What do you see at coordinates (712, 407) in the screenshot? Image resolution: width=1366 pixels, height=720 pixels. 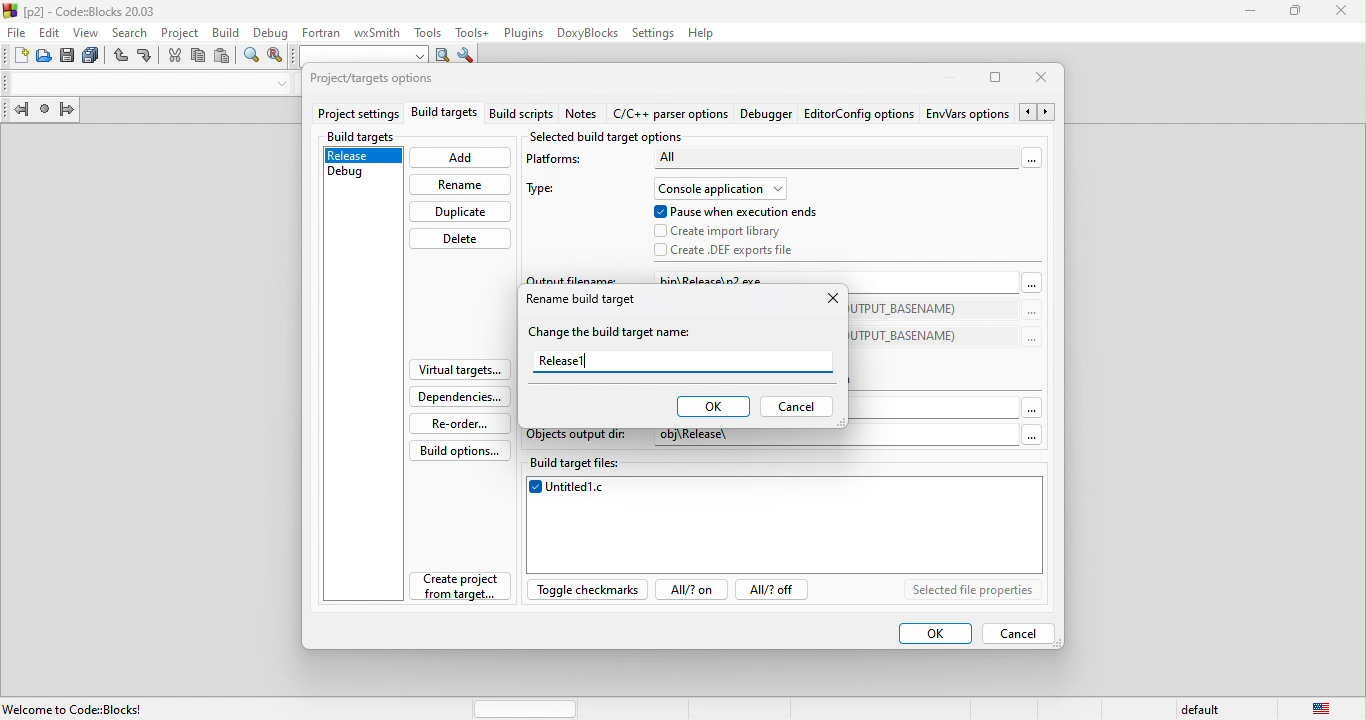 I see `ok` at bounding box center [712, 407].